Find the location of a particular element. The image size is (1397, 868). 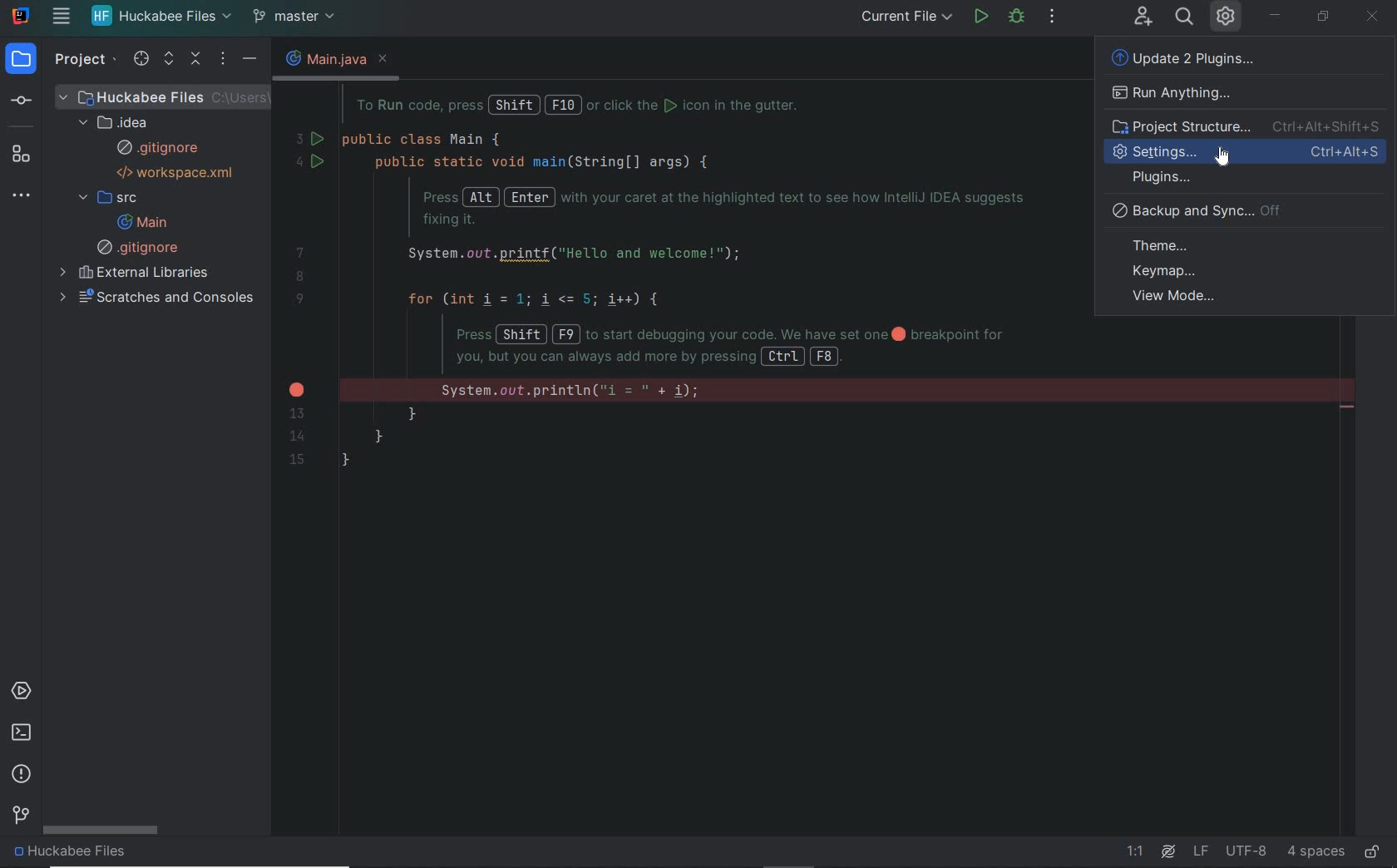

view mode is located at coordinates (1179, 296).